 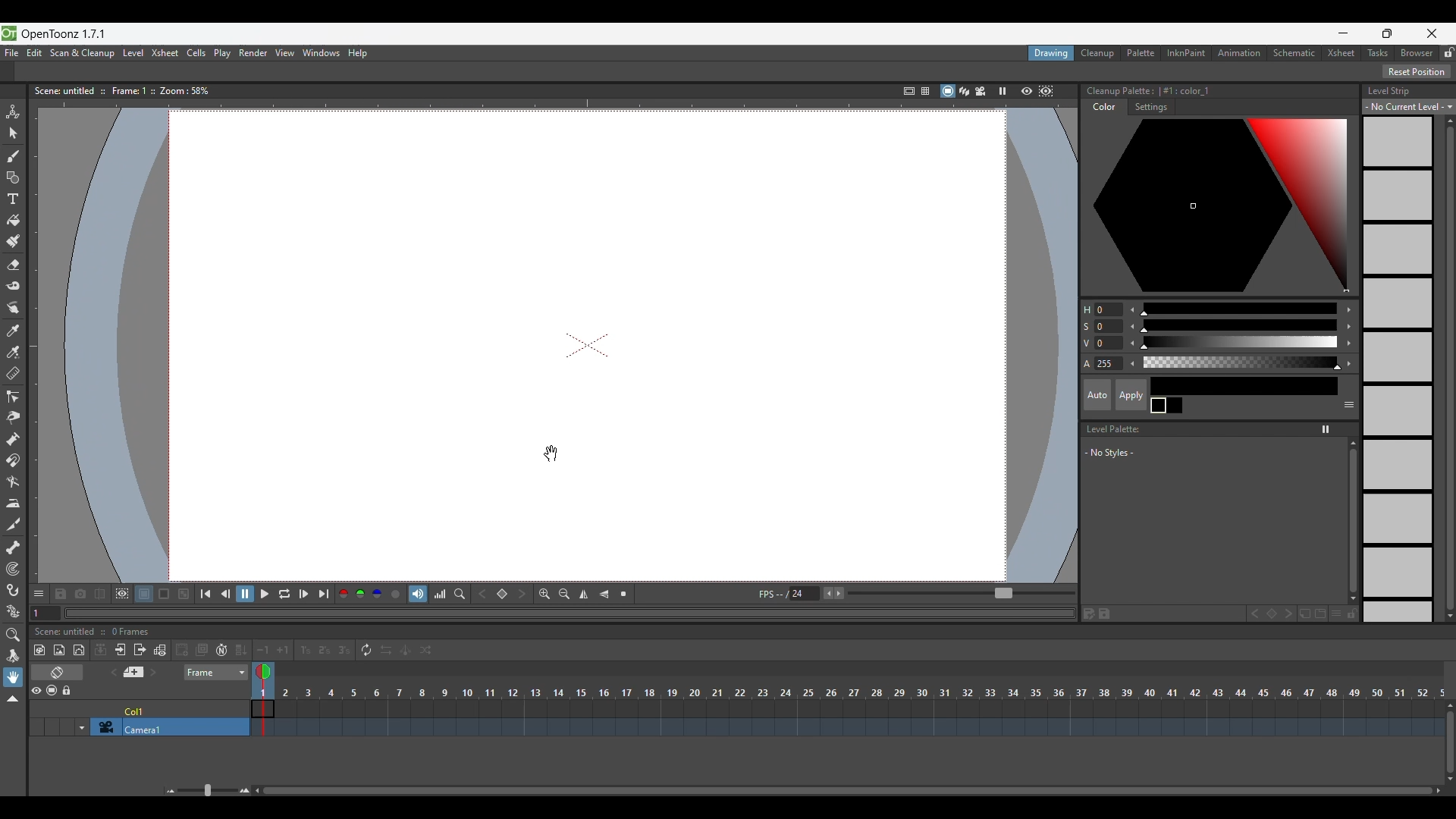 I want to click on Zoom in, so click(x=544, y=595).